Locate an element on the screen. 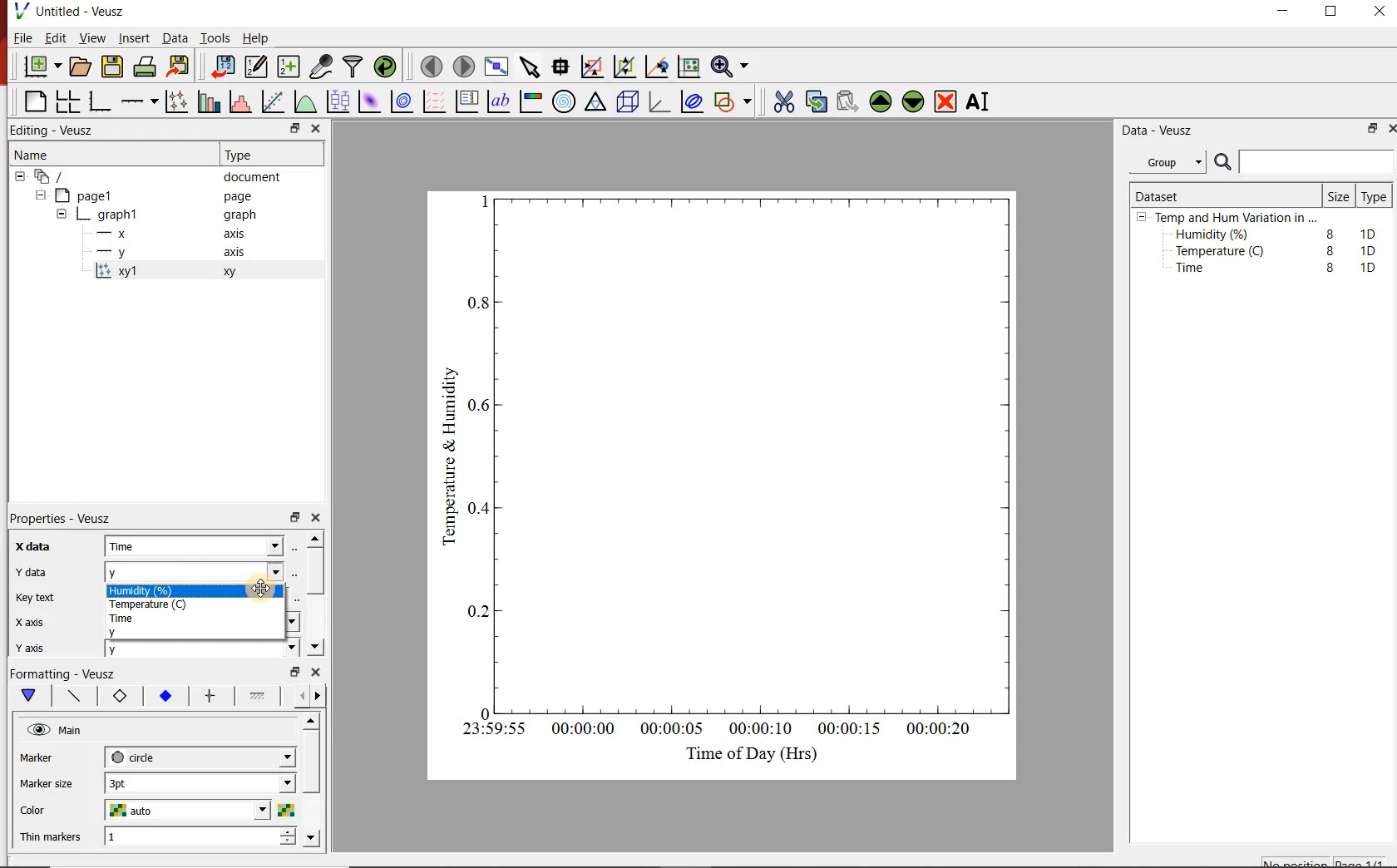 Image resolution: width=1397 pixels, height=868 pixels. click to reset graph axes is located at coordinates (686, 67).